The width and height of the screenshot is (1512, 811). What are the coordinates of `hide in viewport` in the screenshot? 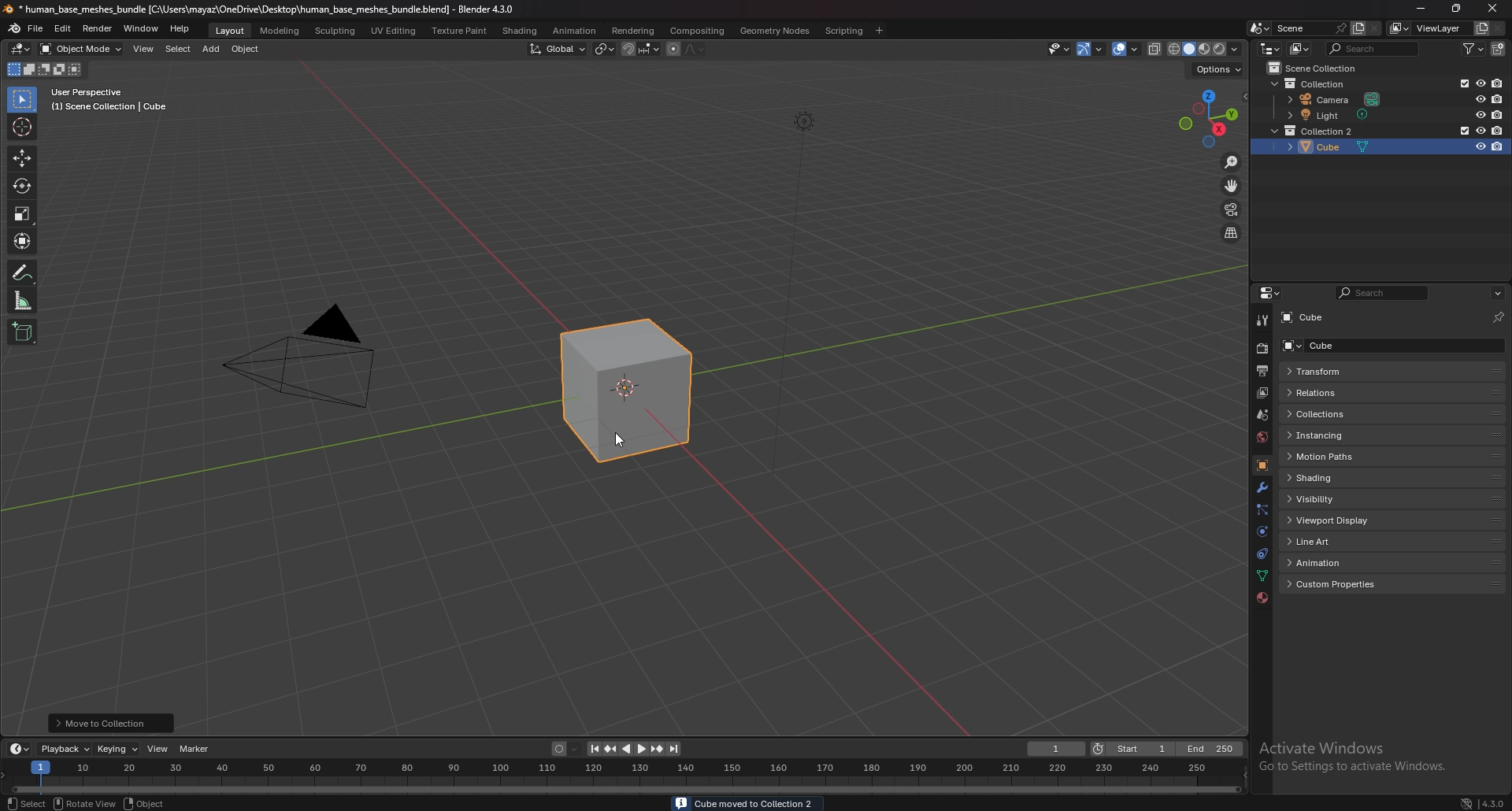 It's located at (1480, 114).